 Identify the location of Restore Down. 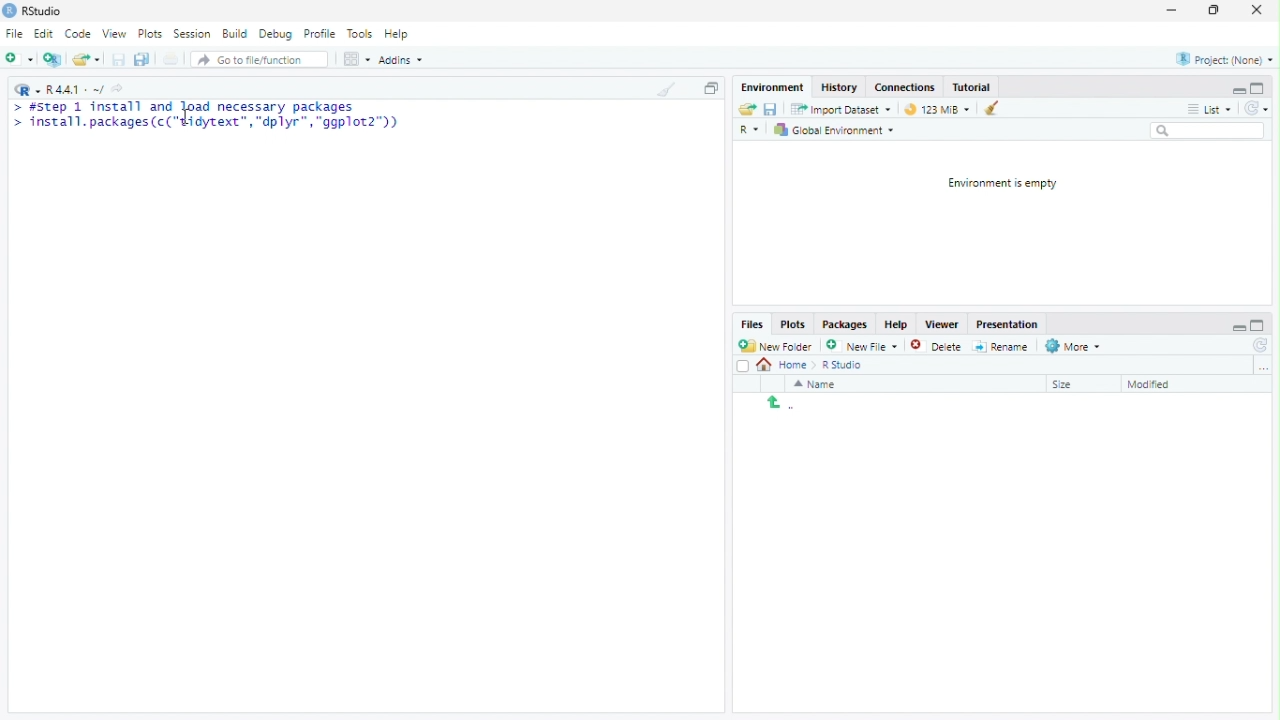
(1216, 11).